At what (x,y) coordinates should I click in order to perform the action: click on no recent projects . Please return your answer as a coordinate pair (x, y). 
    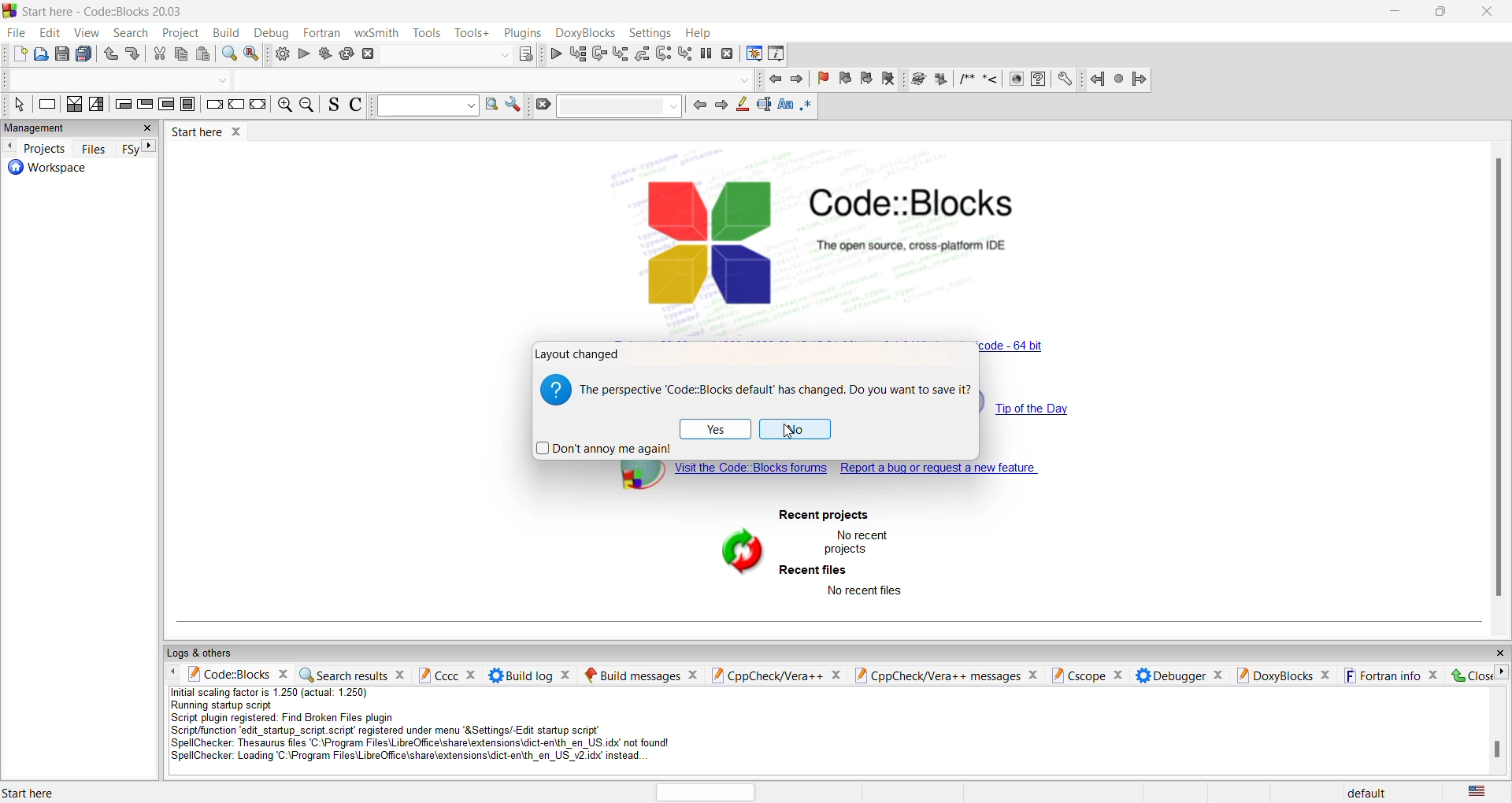
    Looking at the image, I should click on (862, 542).